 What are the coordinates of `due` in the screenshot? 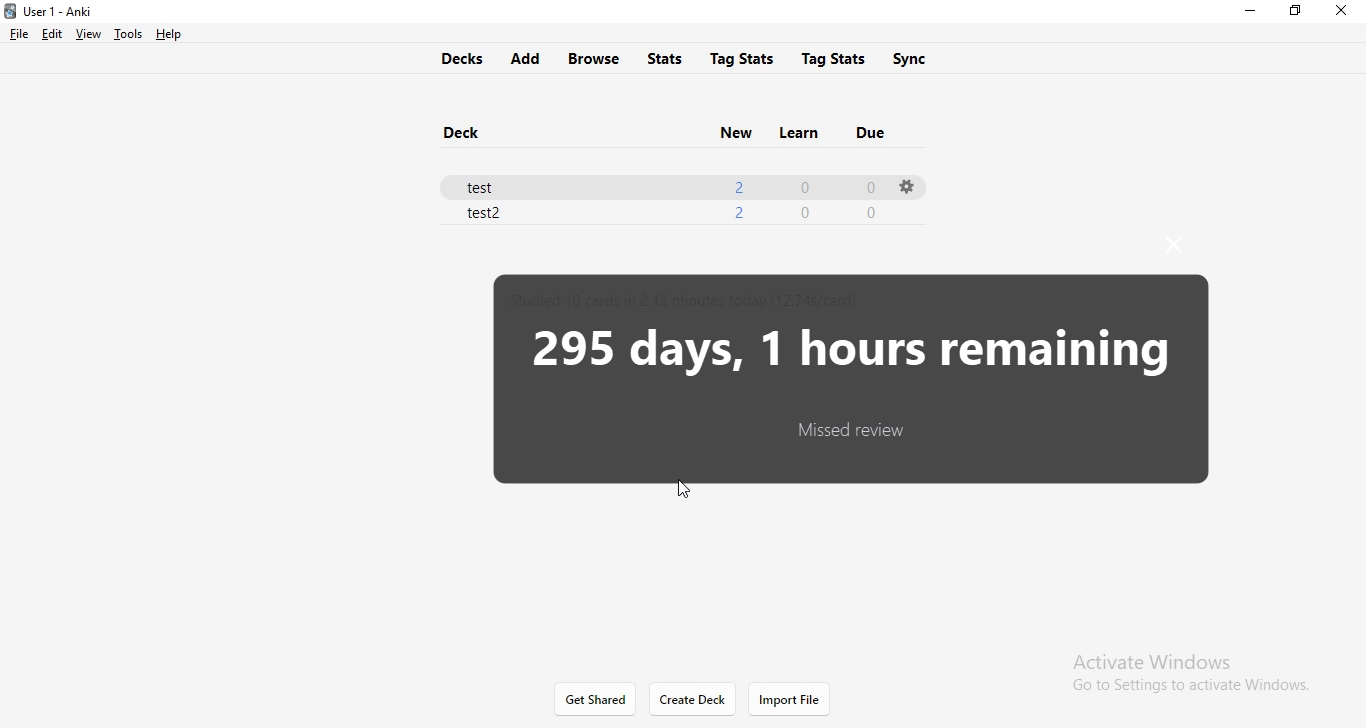 It's located at (874, 130).